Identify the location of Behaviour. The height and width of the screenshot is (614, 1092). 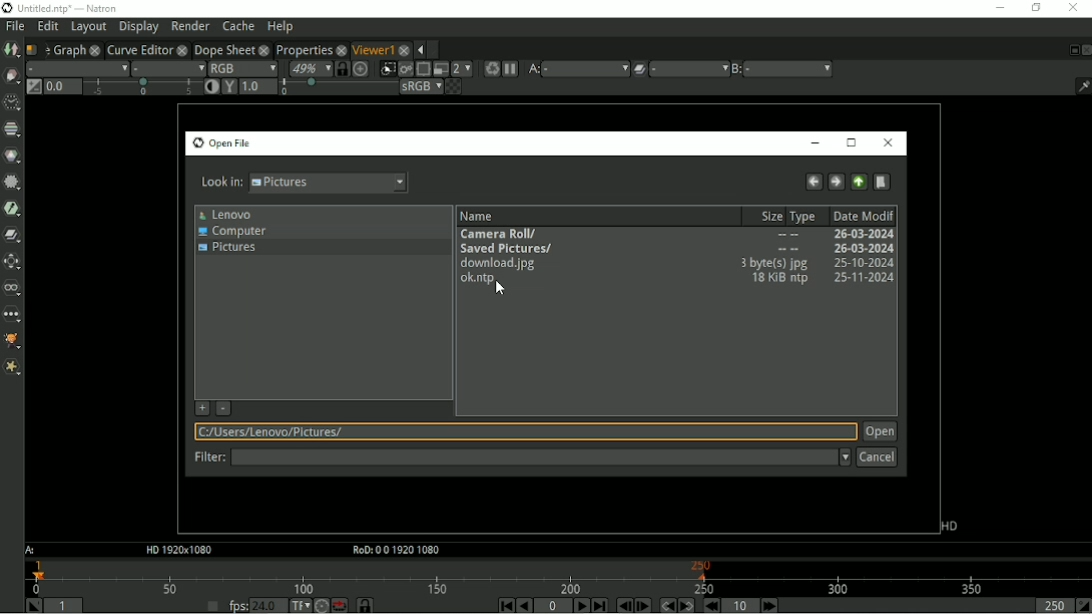
(339, 605).